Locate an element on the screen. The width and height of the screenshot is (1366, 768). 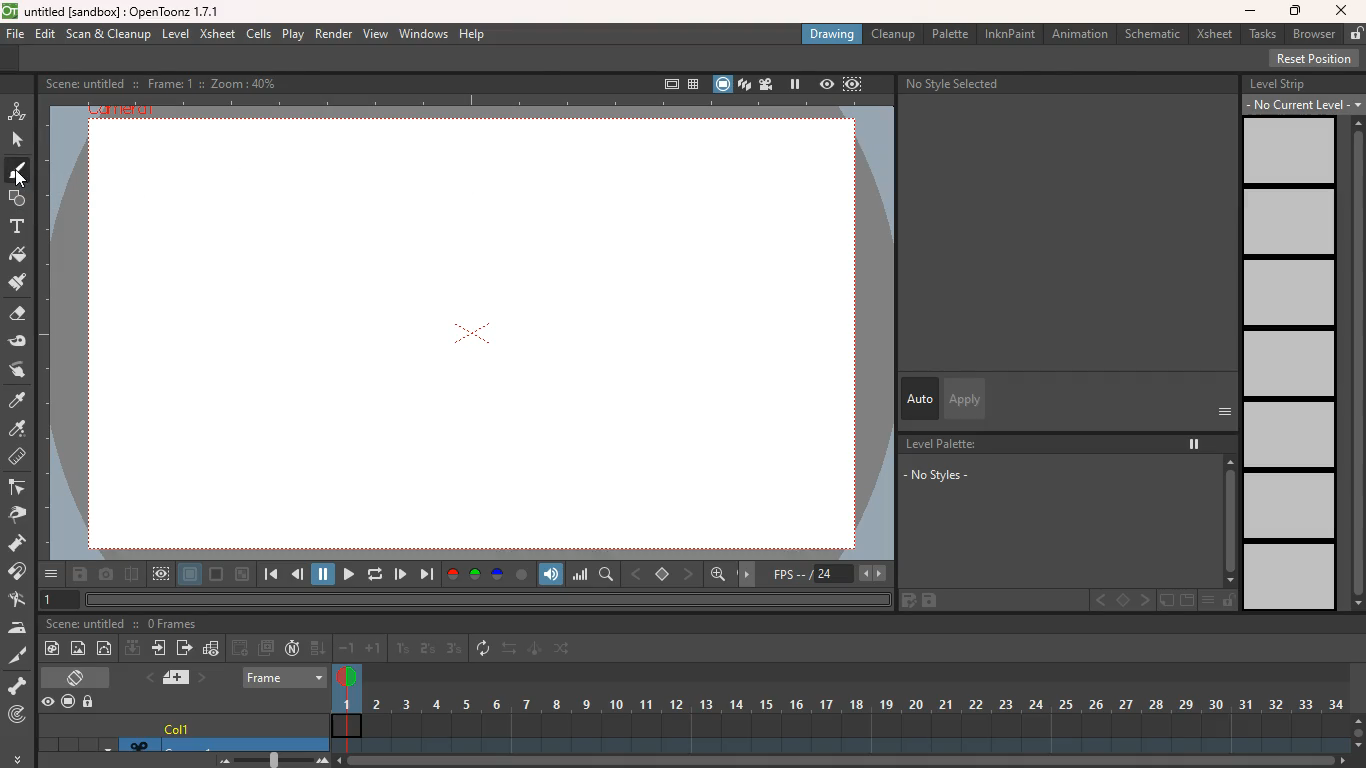
layer is located at coordinates (172, 678).